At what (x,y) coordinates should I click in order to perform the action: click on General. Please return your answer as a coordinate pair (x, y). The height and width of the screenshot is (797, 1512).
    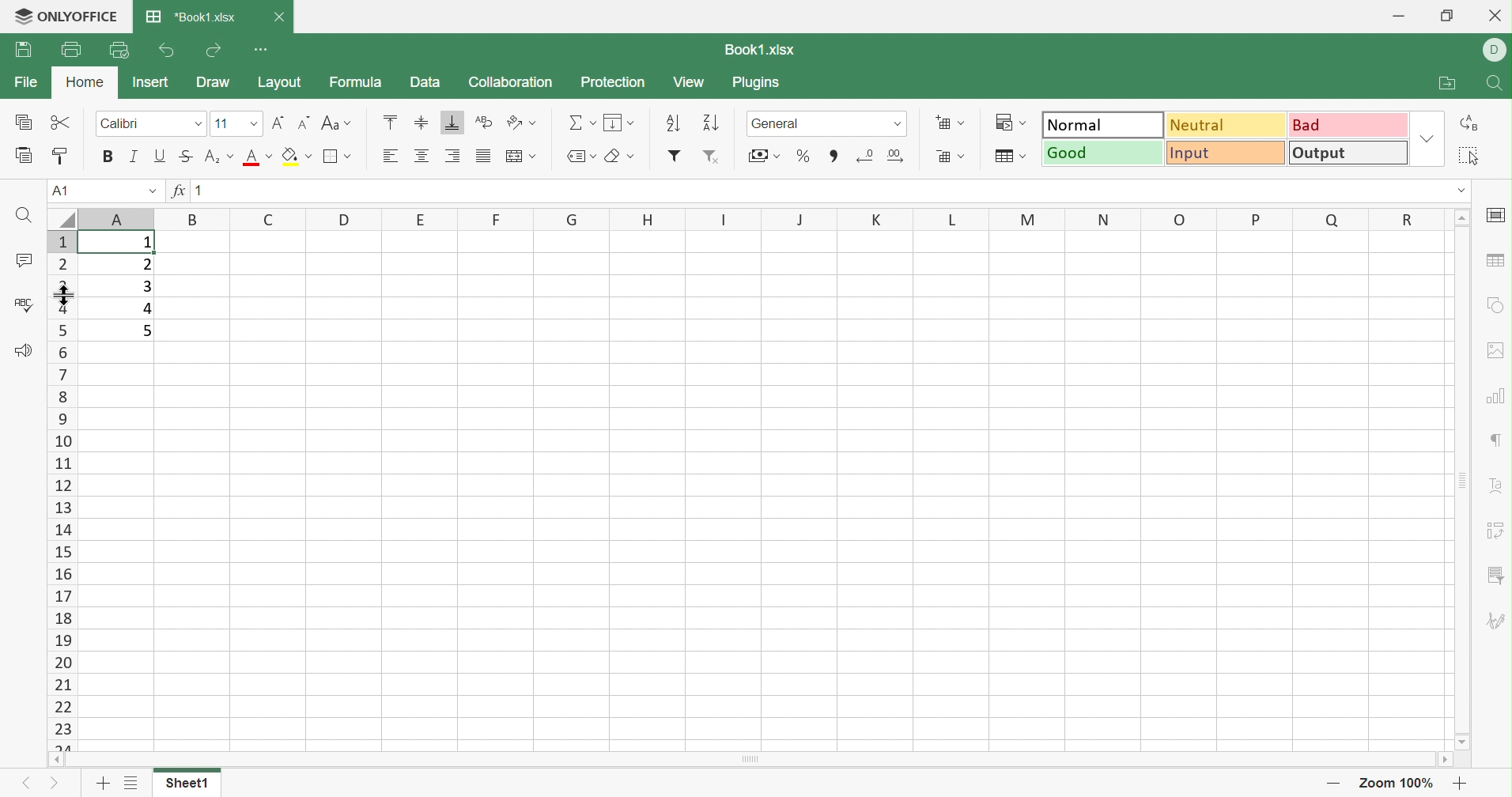
    Looking at the image, I should click on (773, 123).